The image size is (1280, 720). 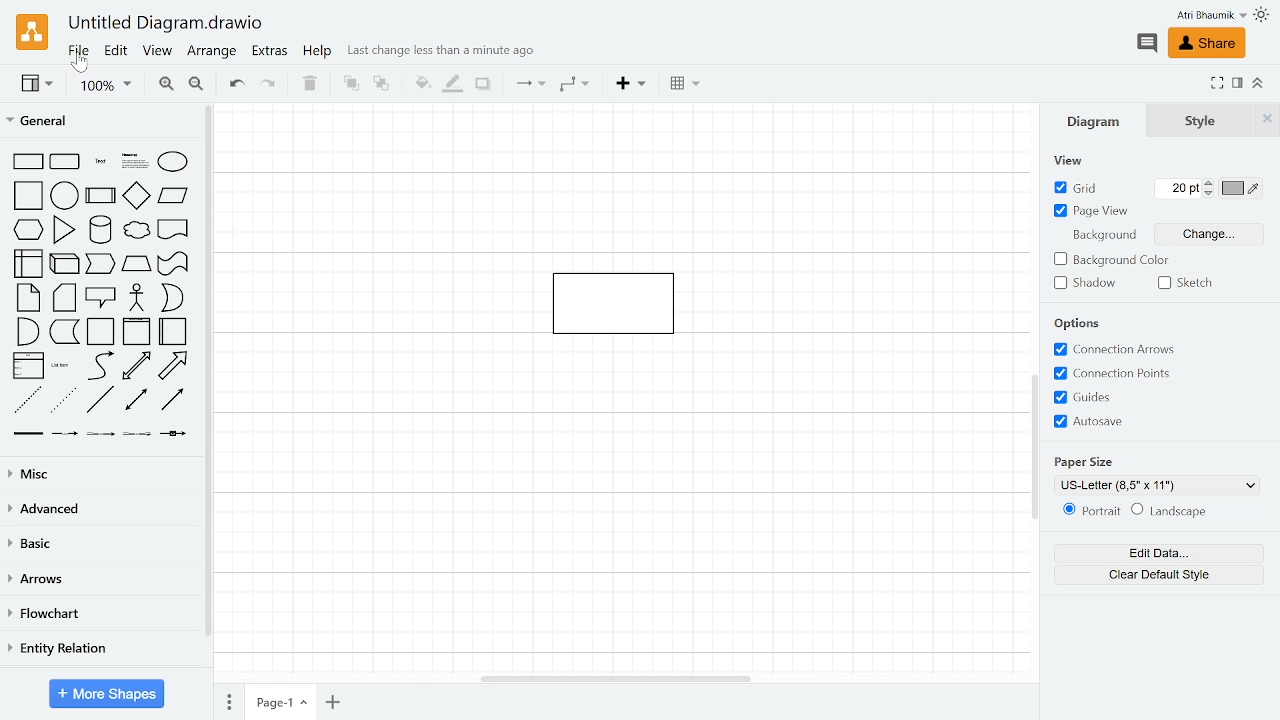 I want to click on Edit data, so click(x=1155, y=551).